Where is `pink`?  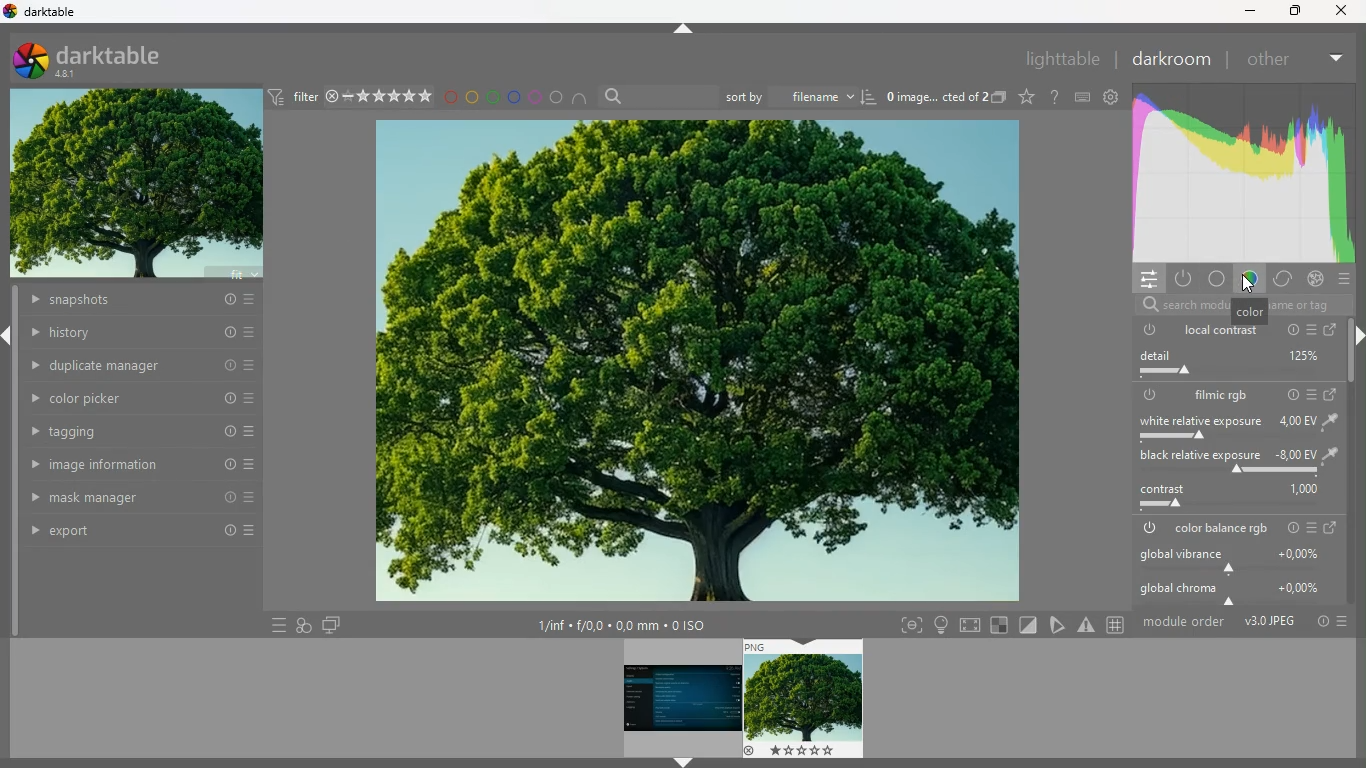 pink is located at coordinates (536, 97).